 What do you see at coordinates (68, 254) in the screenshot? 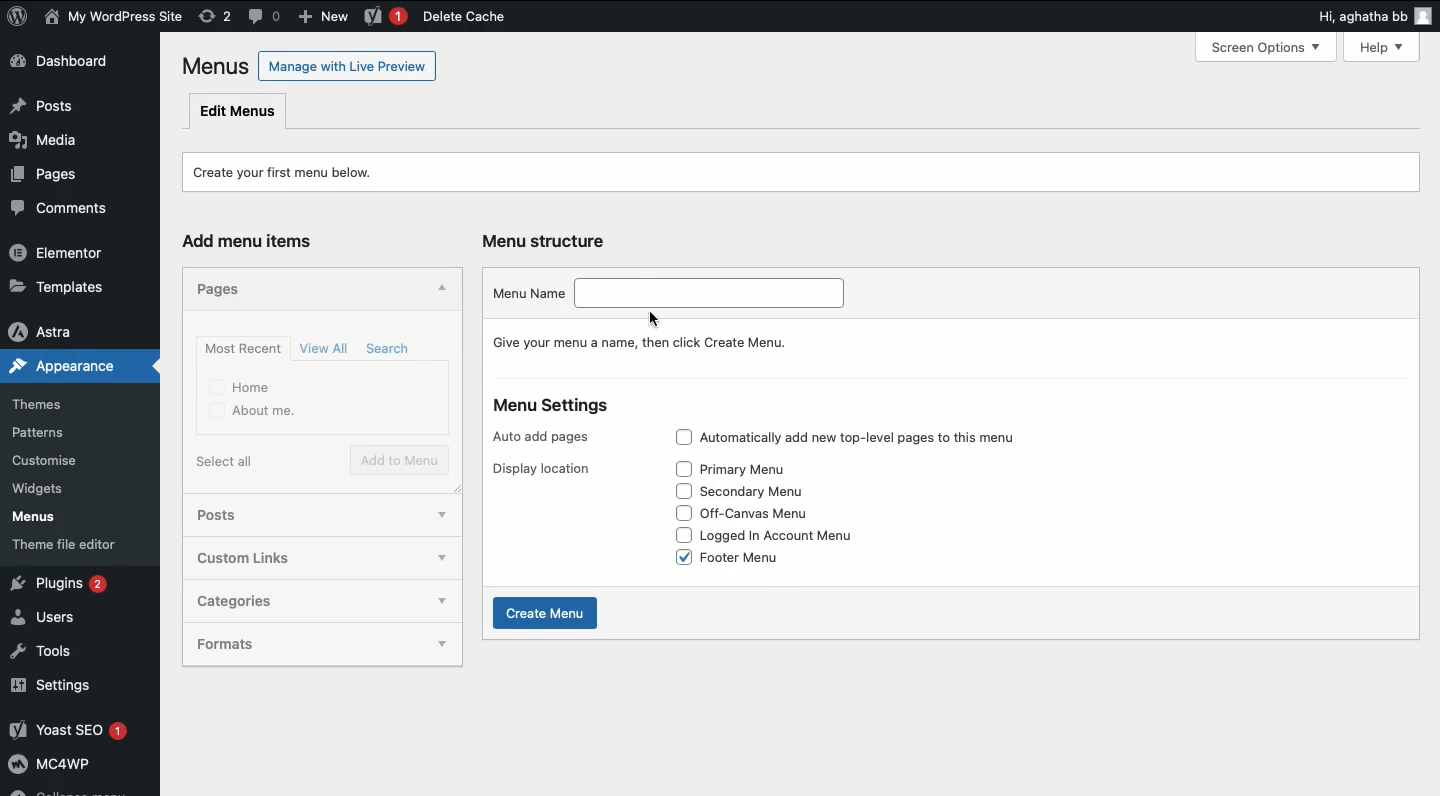
I see `Elementor` at bounding box center [68, 254].